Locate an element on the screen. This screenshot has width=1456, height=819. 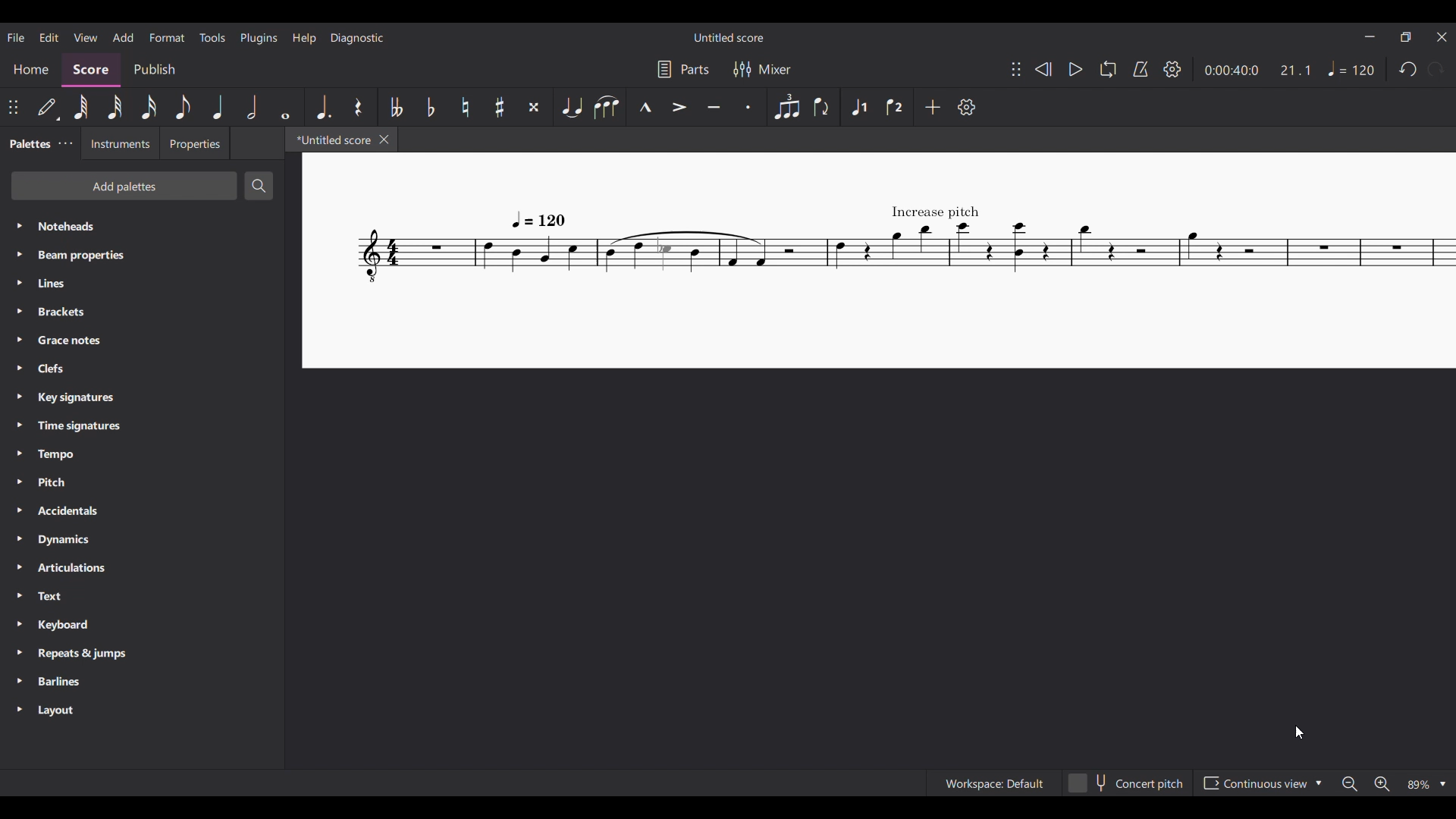
Rewind is located at coordinates (1043, 69).